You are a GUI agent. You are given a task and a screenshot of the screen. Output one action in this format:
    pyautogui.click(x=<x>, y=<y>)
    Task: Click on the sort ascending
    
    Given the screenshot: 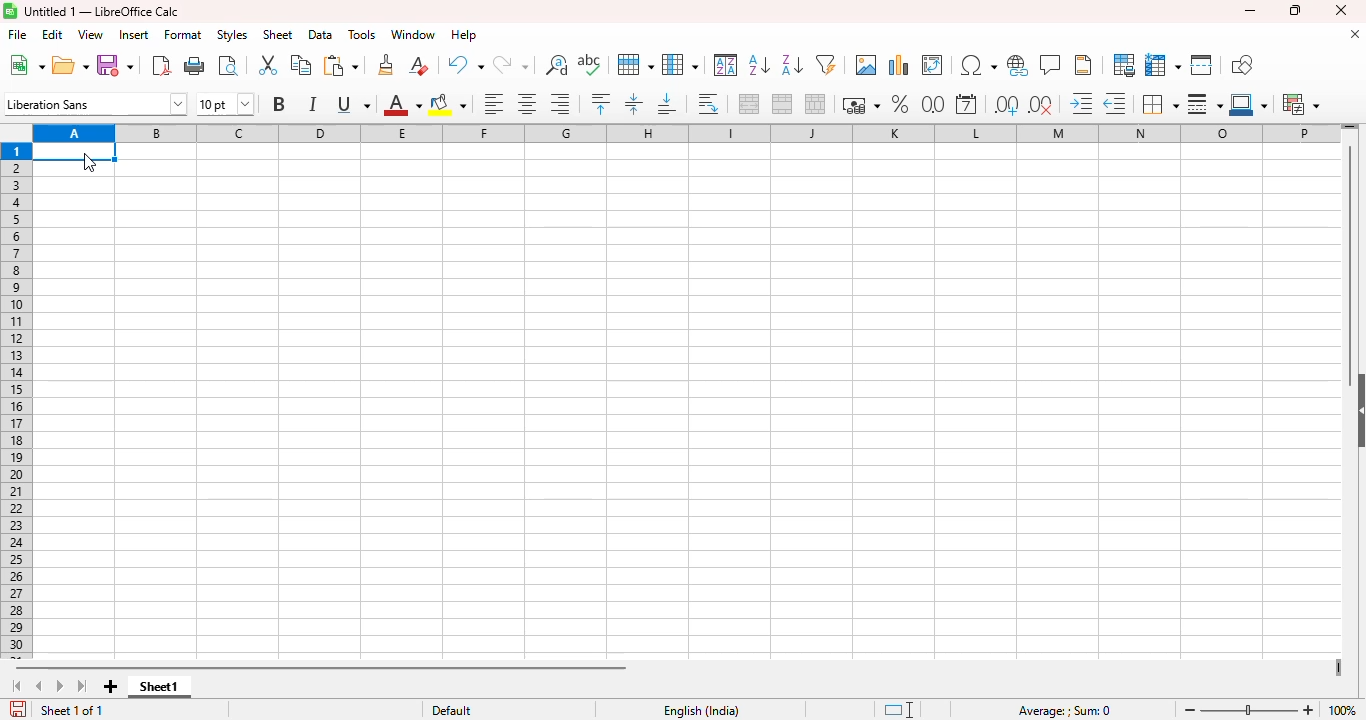 What is the action you would take?
    pyautogui.click(x=759, y=64)
    